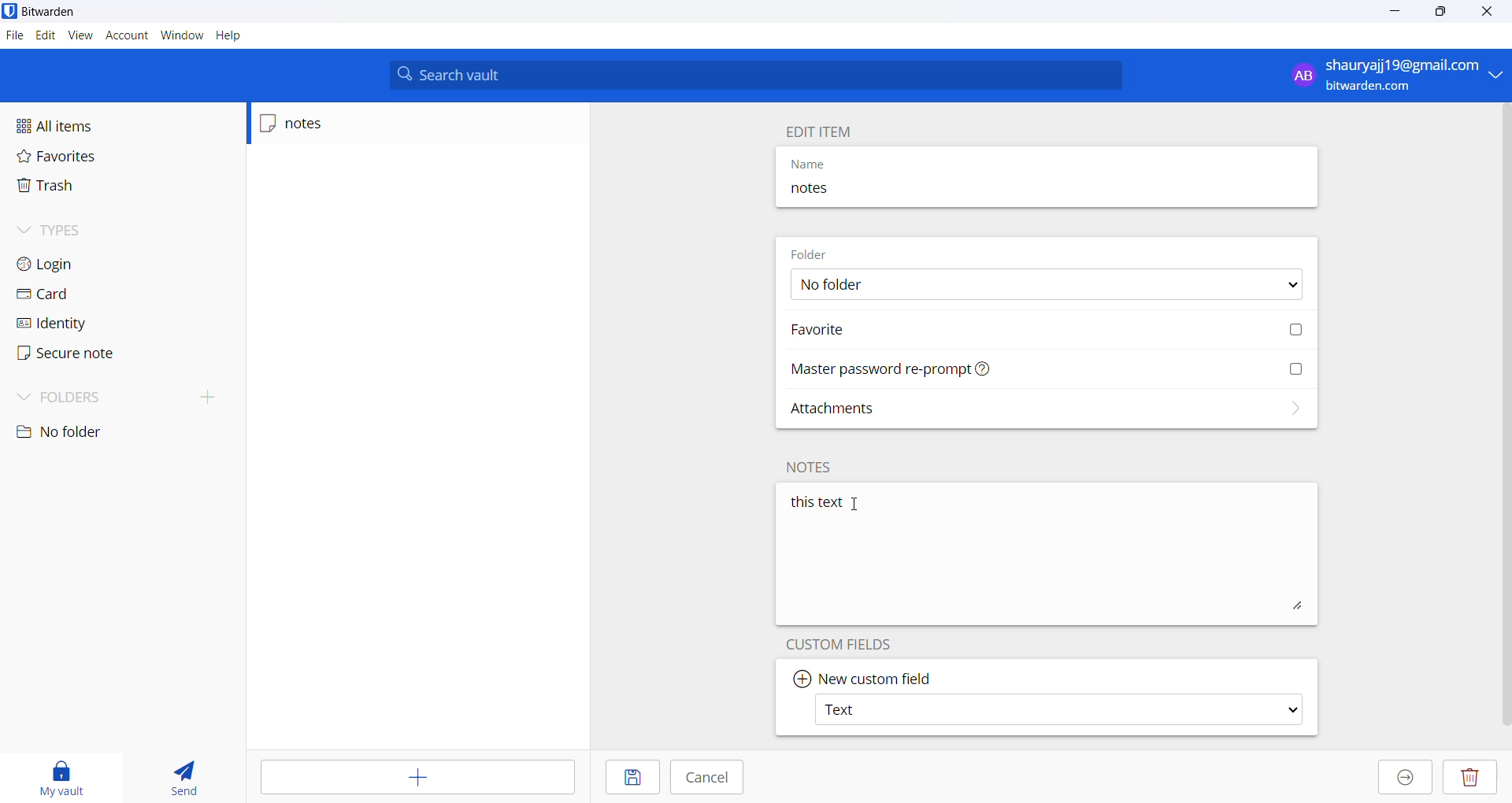 The image size is (1512, 803). Describe the element at coordinates (76, 432) in the screenshot. I see `no folder` at that location.